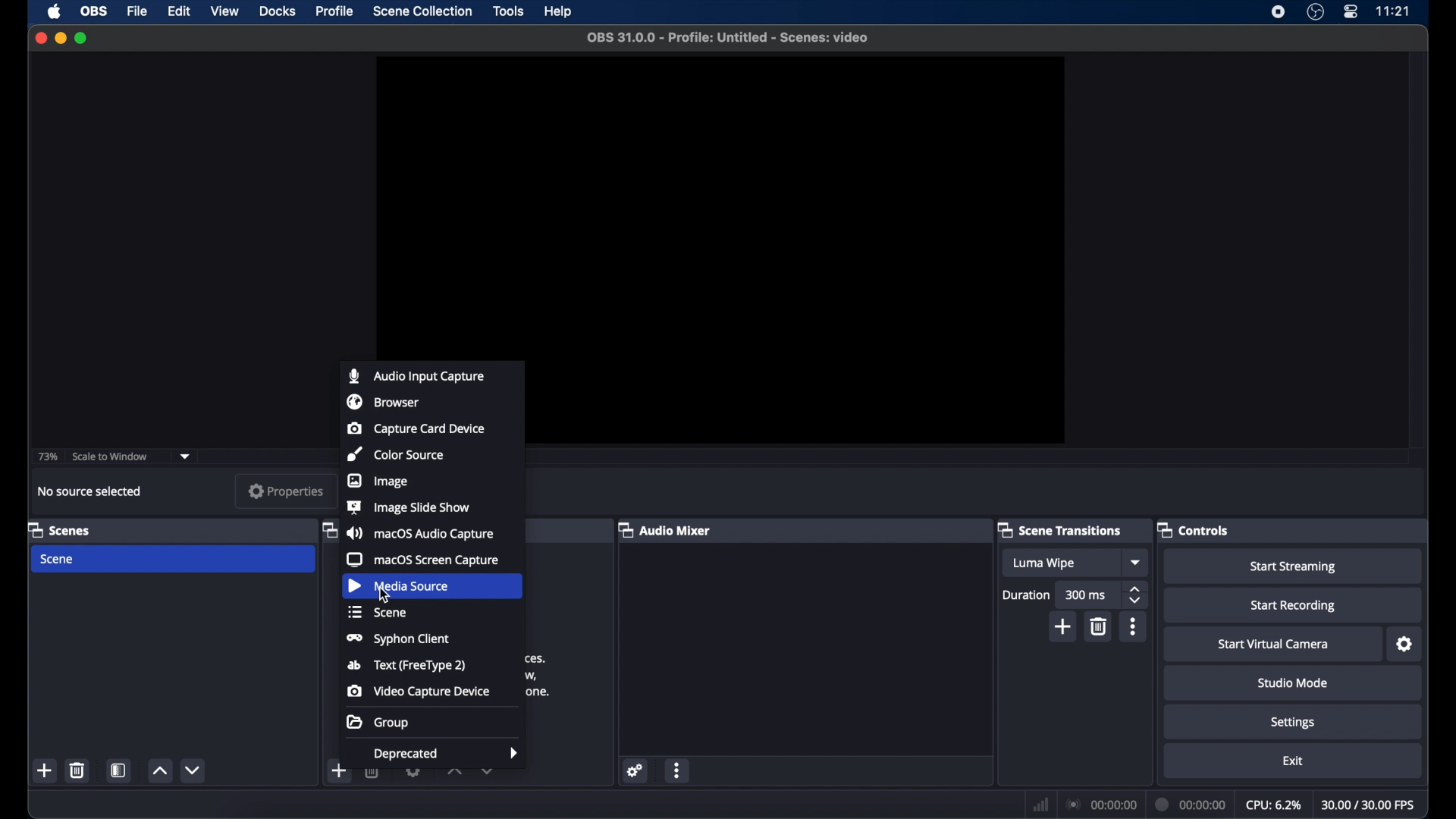 This screenshot has height=819, width=1456. What do you see at coordinates (424, 560) in the screenshot?
I see `macos screen capture` at bounding box center [424, 560].